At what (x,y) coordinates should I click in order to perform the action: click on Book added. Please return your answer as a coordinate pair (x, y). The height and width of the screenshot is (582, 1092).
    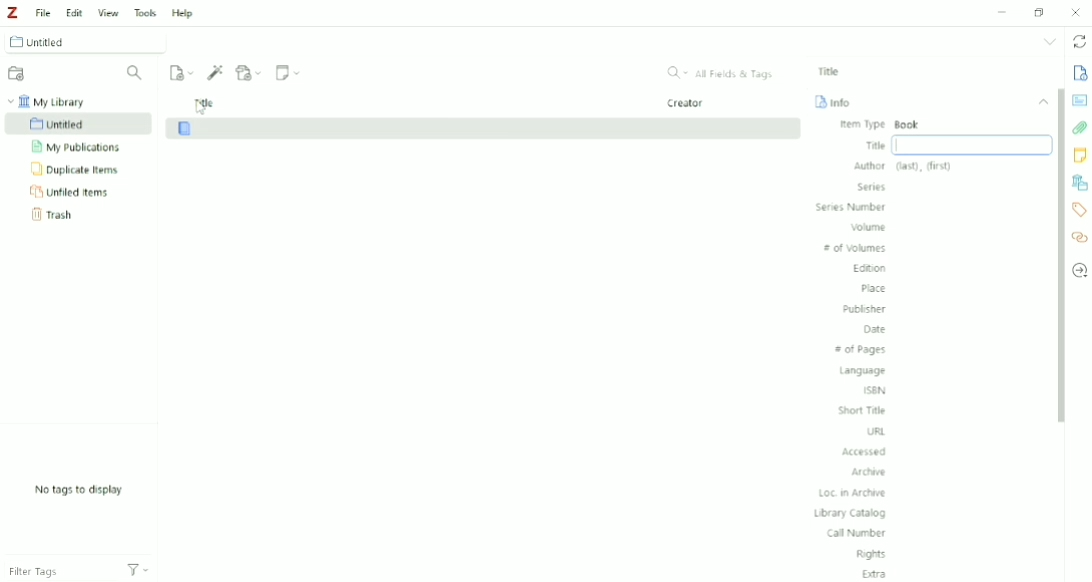
    Looking at the image, I should click on (482, 129).